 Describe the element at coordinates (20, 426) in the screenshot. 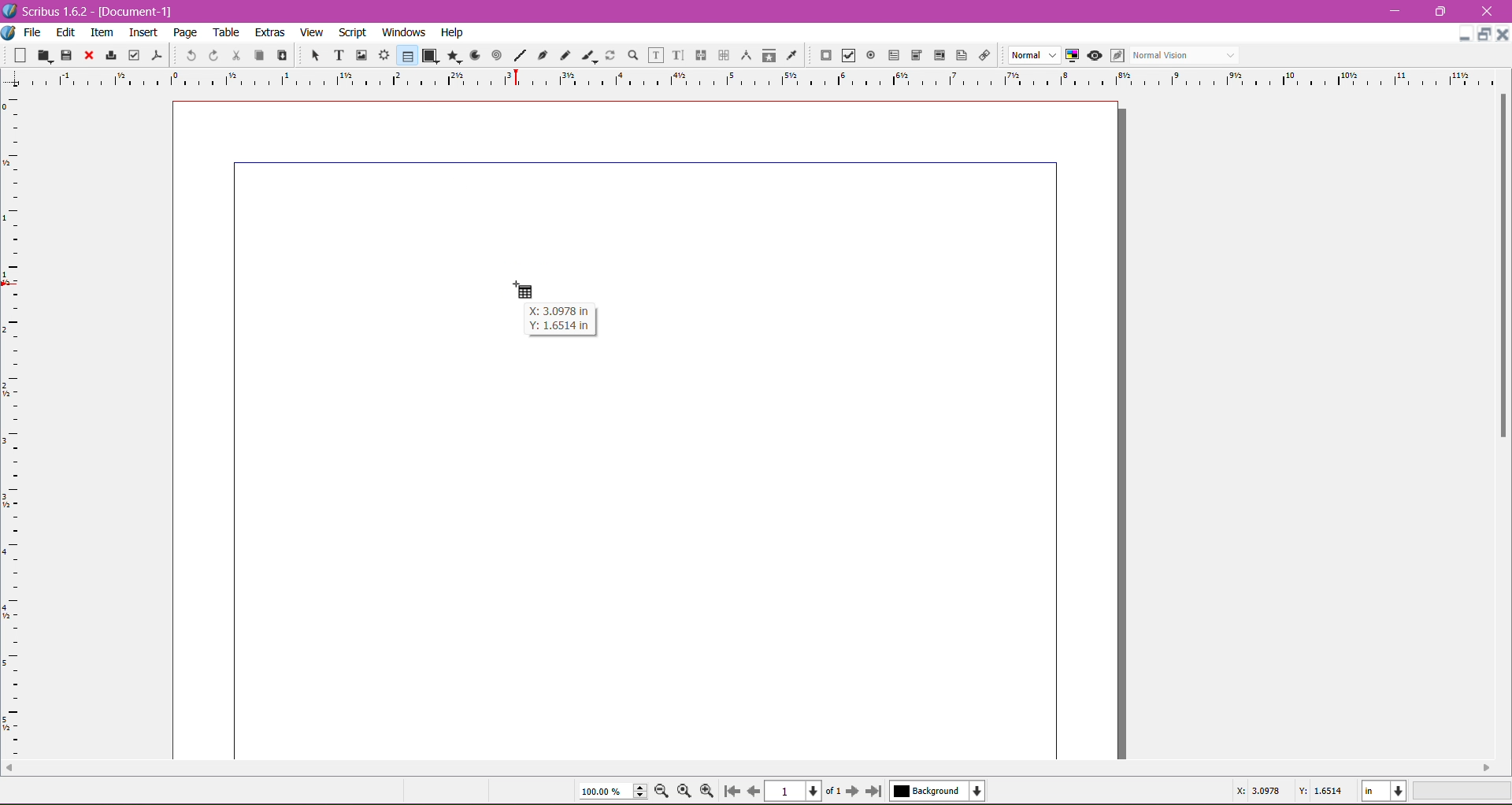

I see `Grid` at that location.